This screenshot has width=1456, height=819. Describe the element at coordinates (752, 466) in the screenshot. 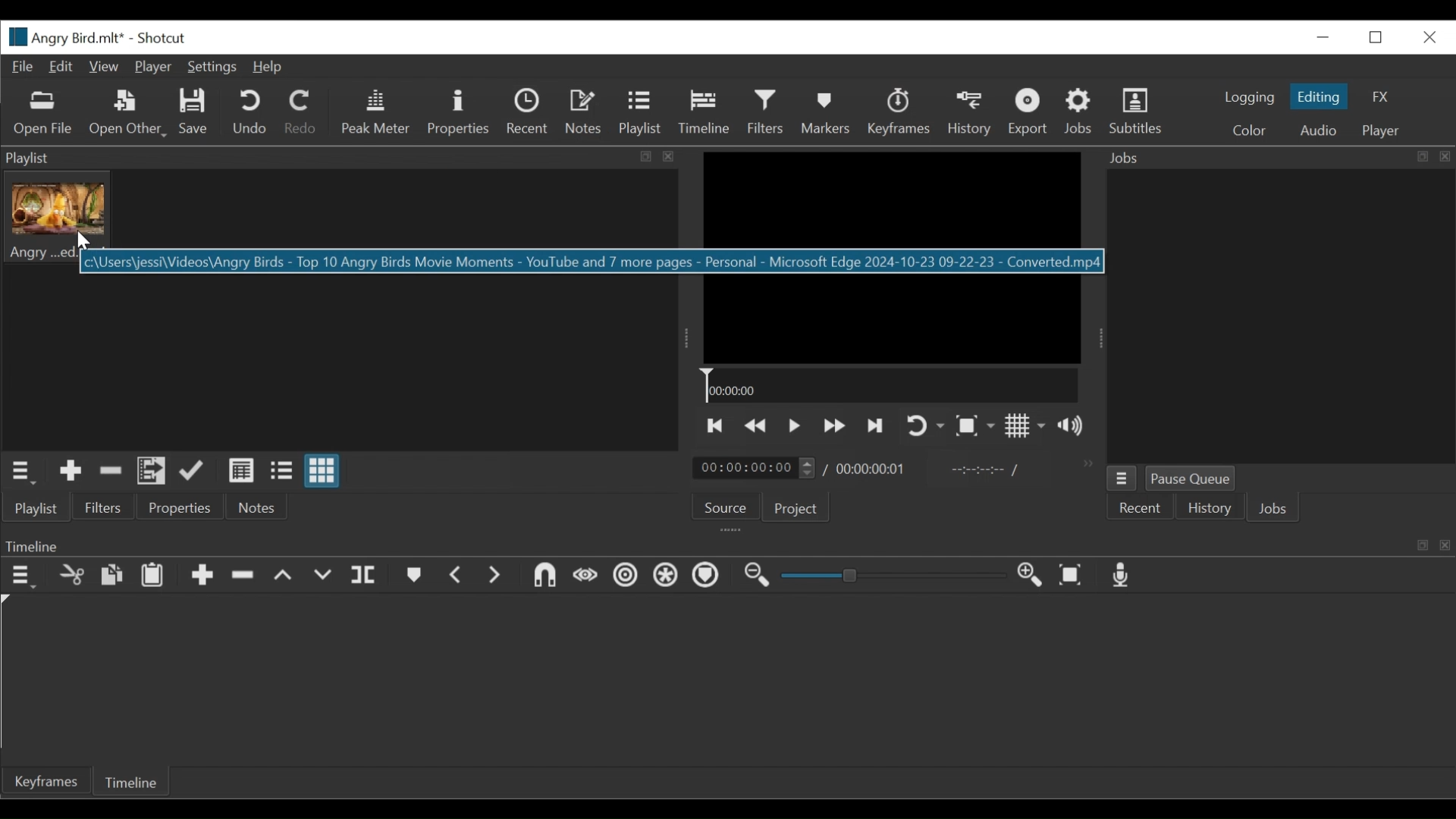

I see `time` at that location.